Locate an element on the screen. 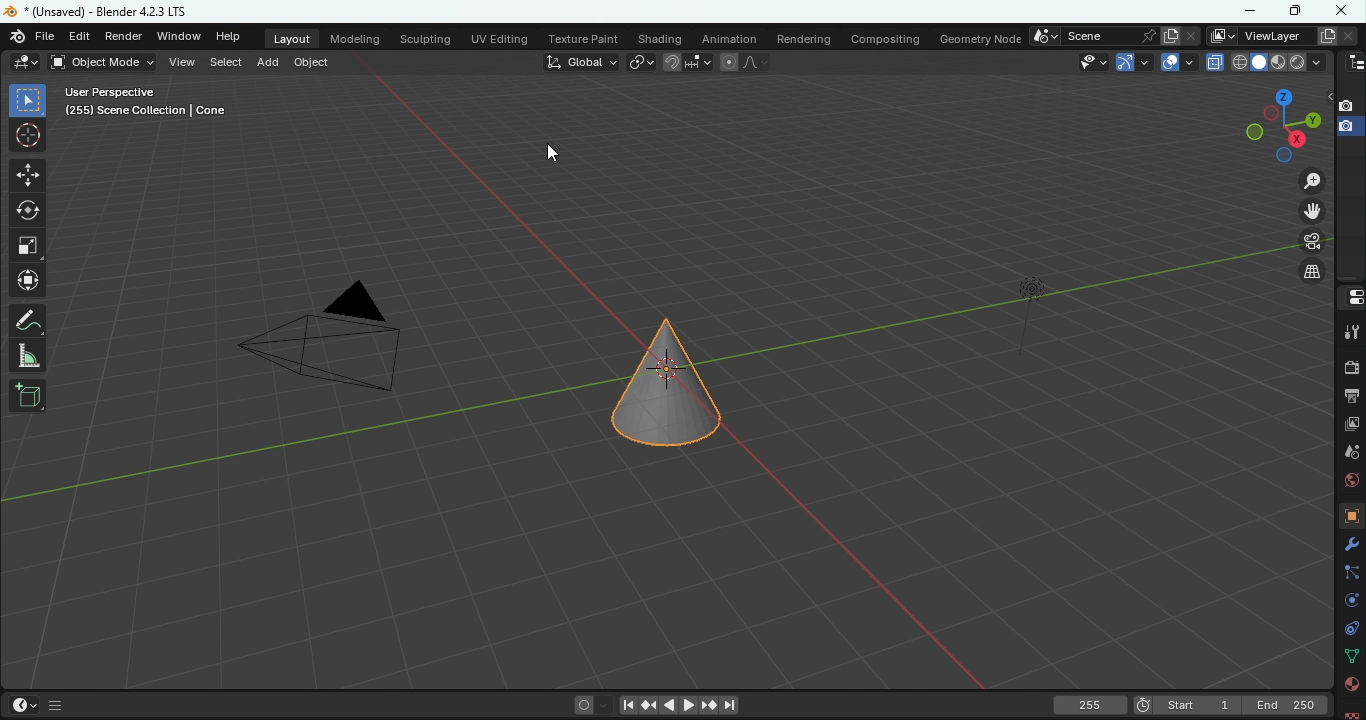  Proportional editing objects is located at coordinates (728, 62).